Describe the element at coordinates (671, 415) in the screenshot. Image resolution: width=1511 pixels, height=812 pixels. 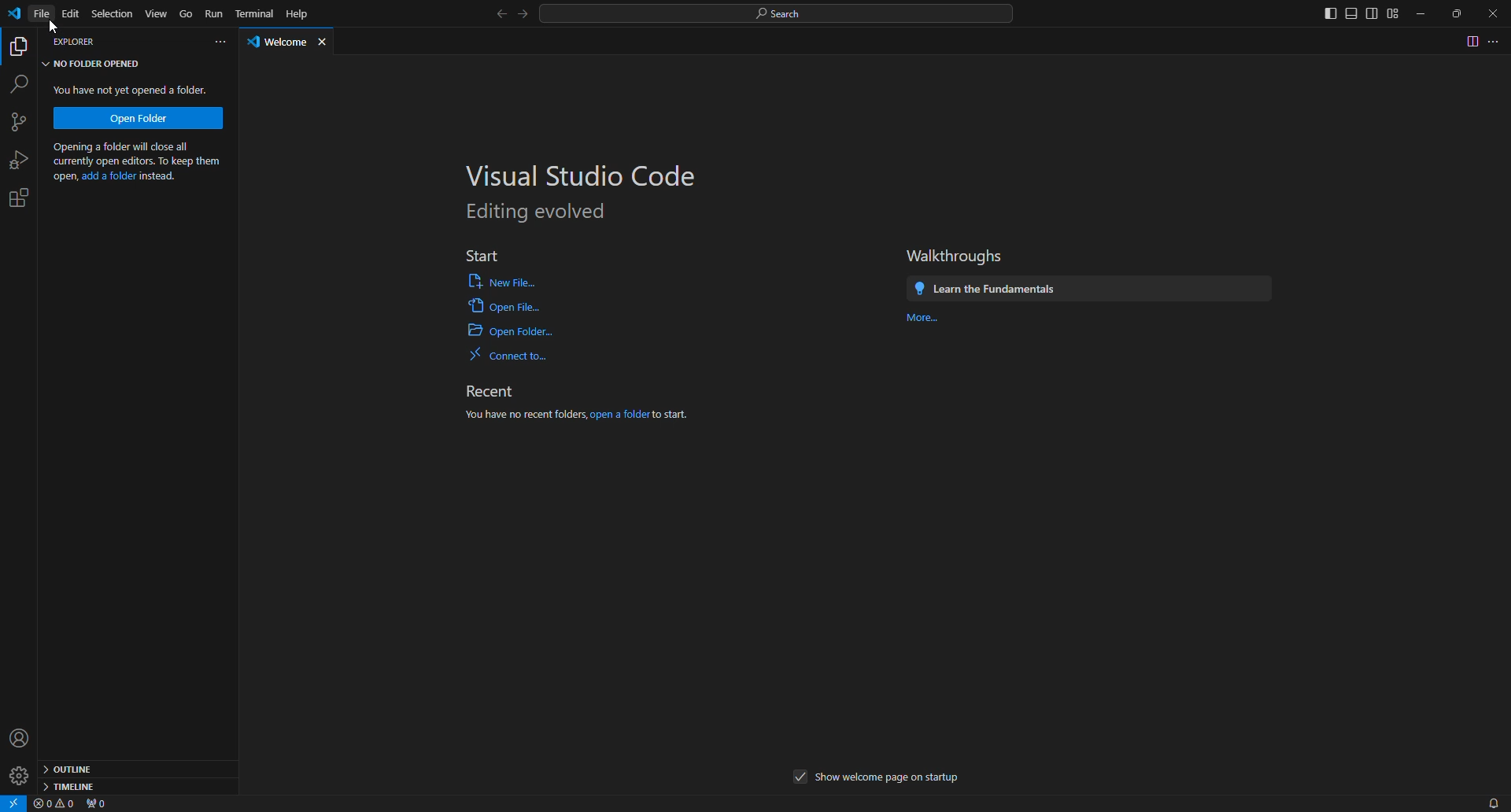
I see `to start` at that location.